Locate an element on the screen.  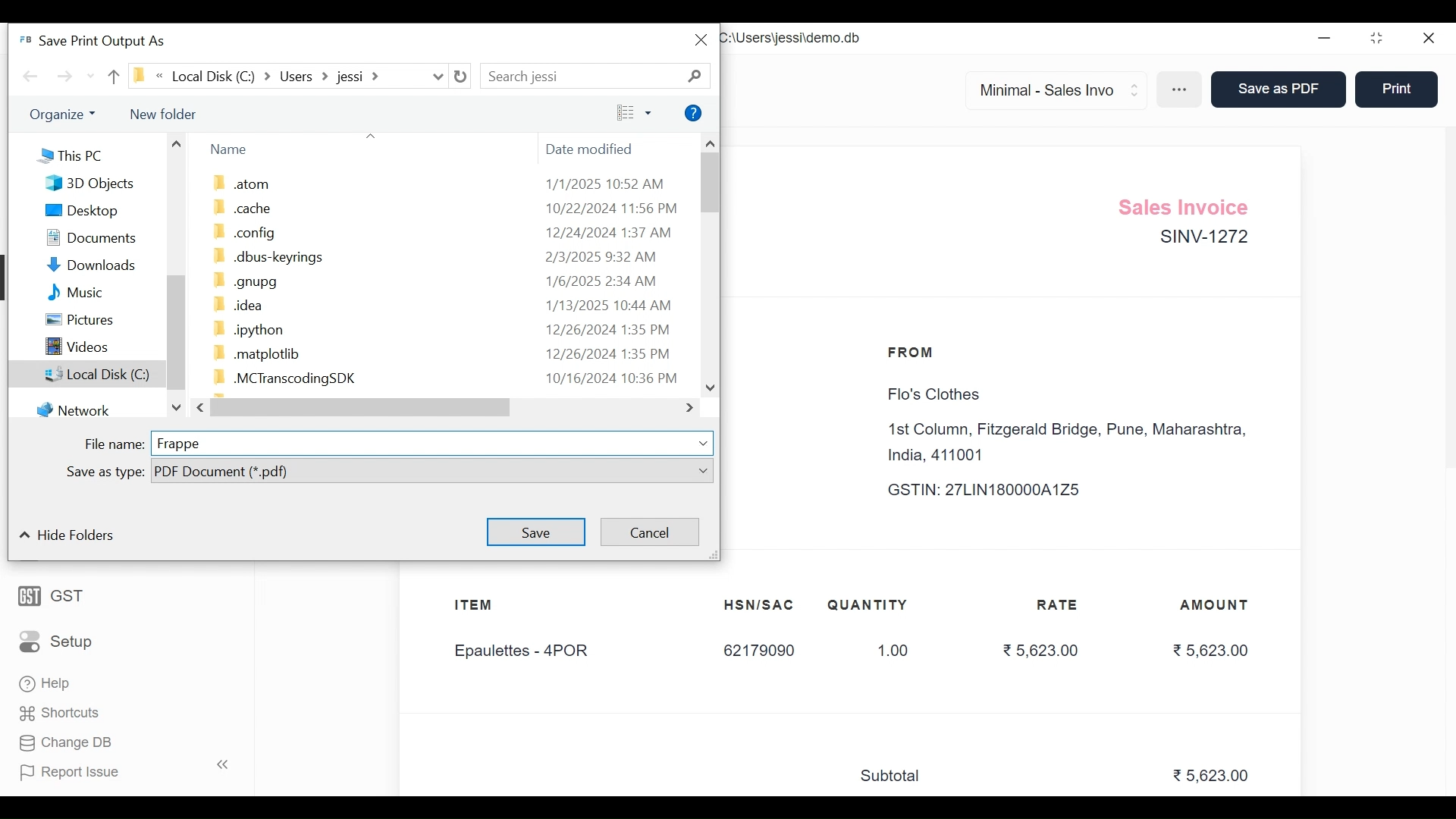
Pictures is located at coordinates (75, 318).